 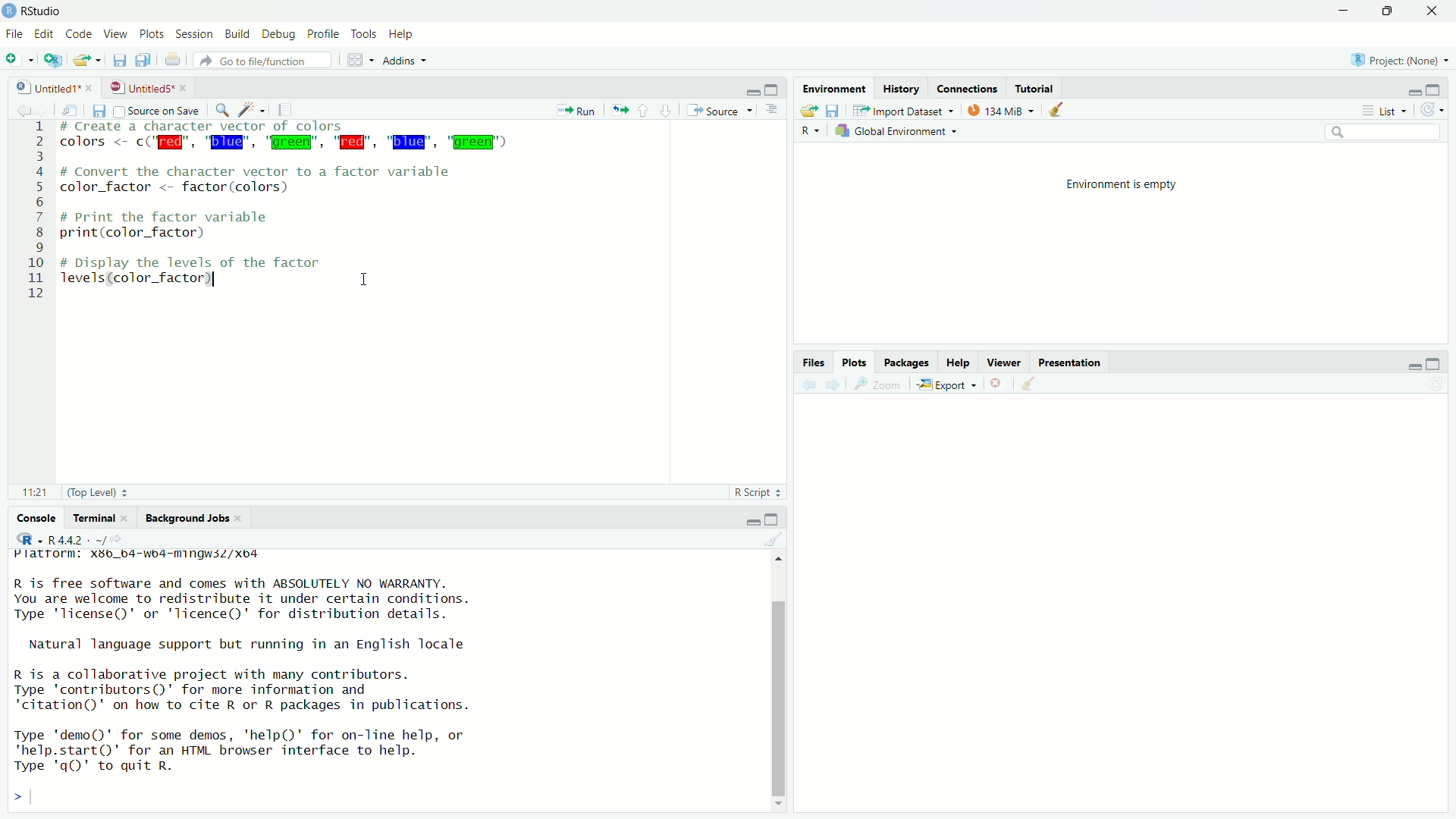 I want to click on # Convert the character vector to a factor variable
color_factor <- factor (colors), so click(x=271, y=180).